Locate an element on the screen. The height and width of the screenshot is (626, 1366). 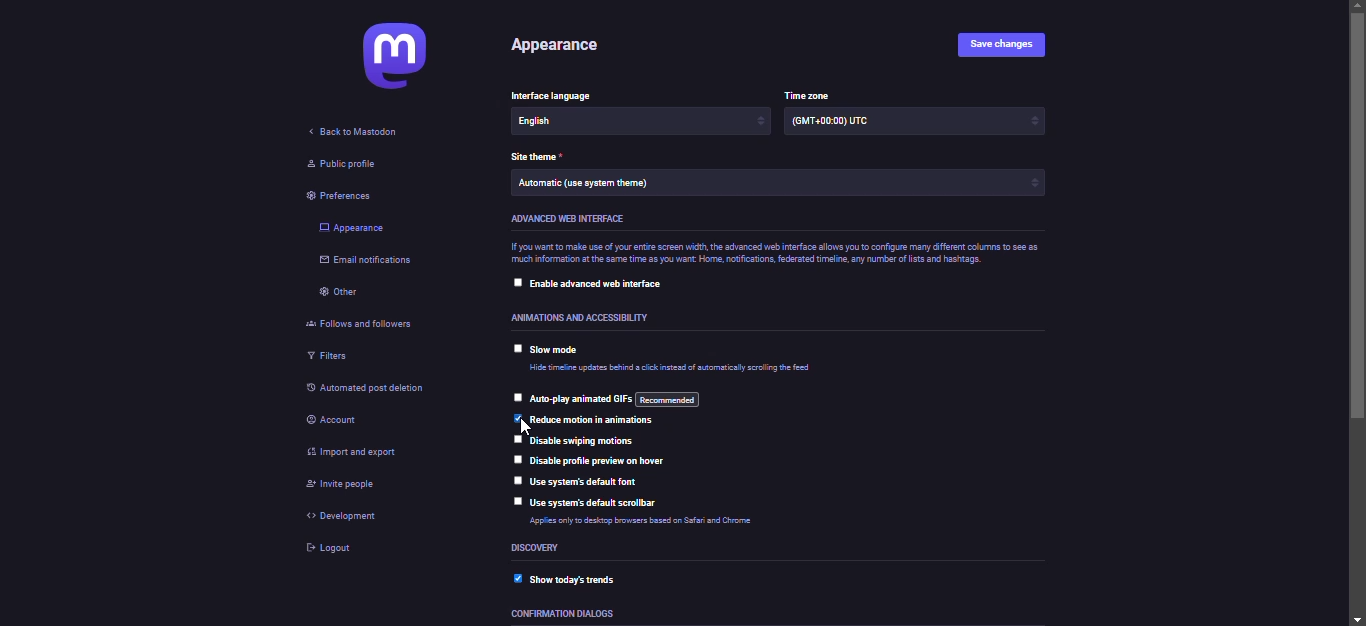
slow mode is located at coordinates (556, 351).